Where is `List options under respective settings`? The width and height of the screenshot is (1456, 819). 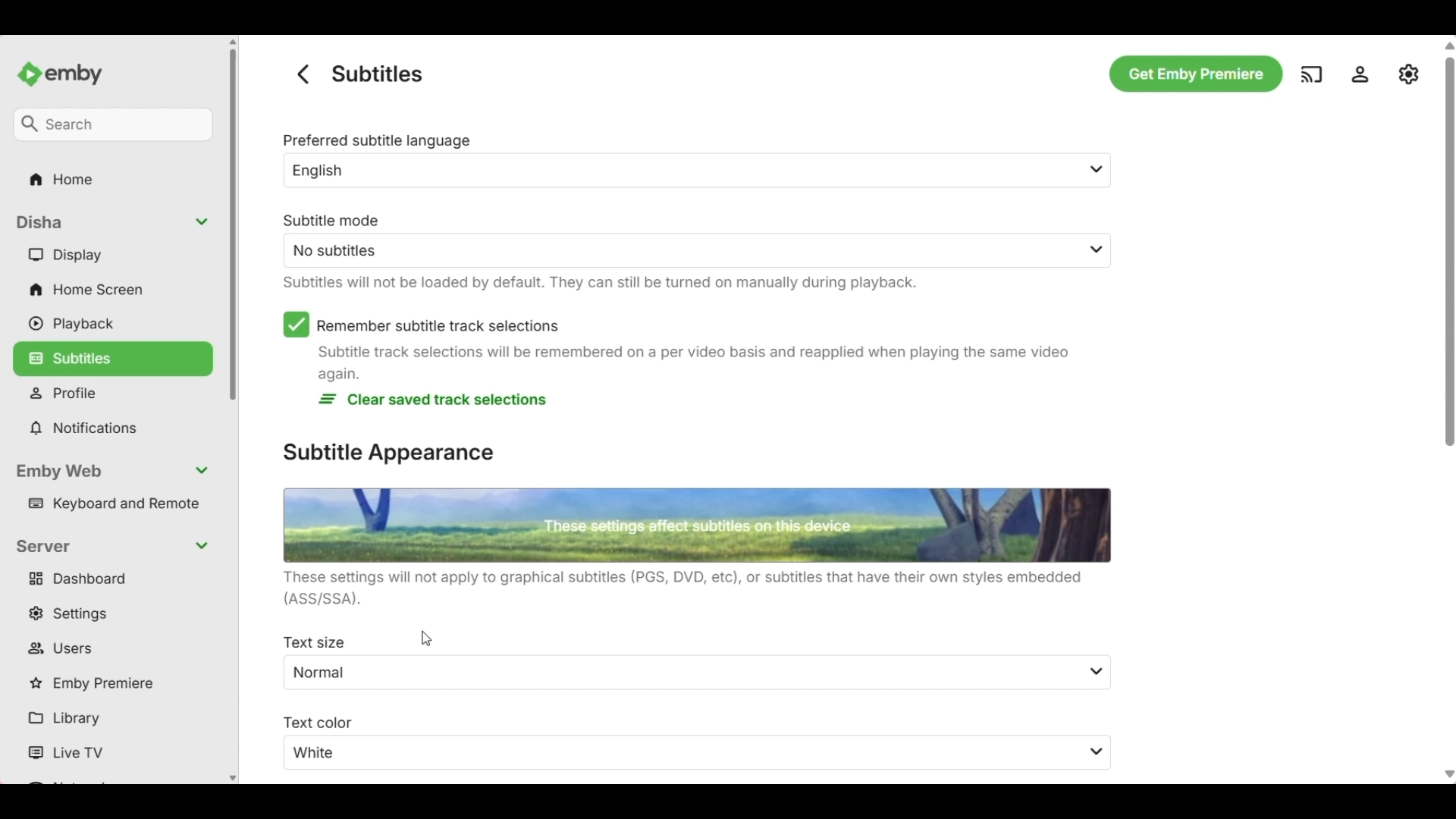 List options under respective settings is located at coordinates (1098, 714).